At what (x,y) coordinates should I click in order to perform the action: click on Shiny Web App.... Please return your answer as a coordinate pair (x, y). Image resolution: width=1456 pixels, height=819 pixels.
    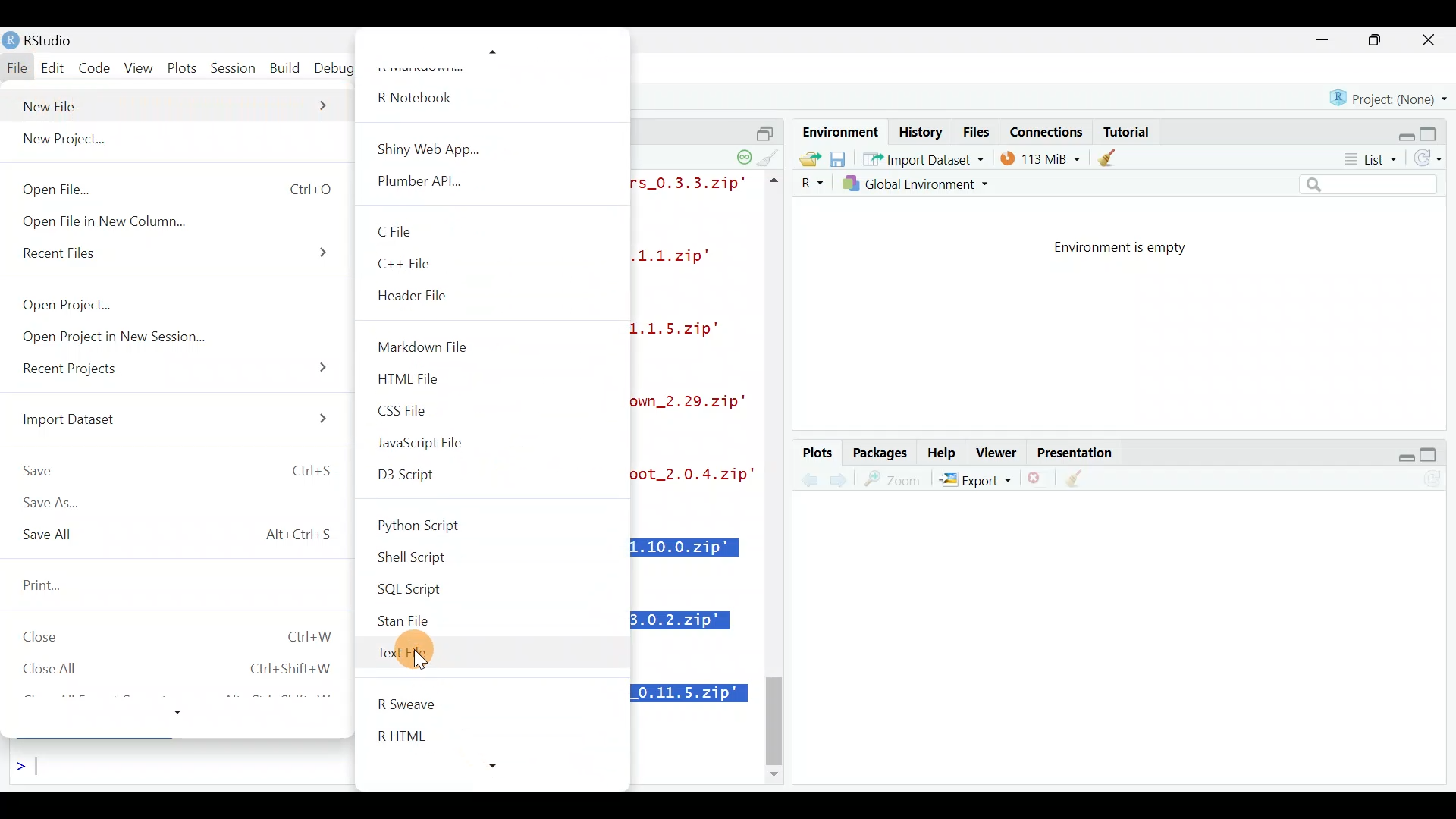
    Looking at the image, I should click on (436, 149).